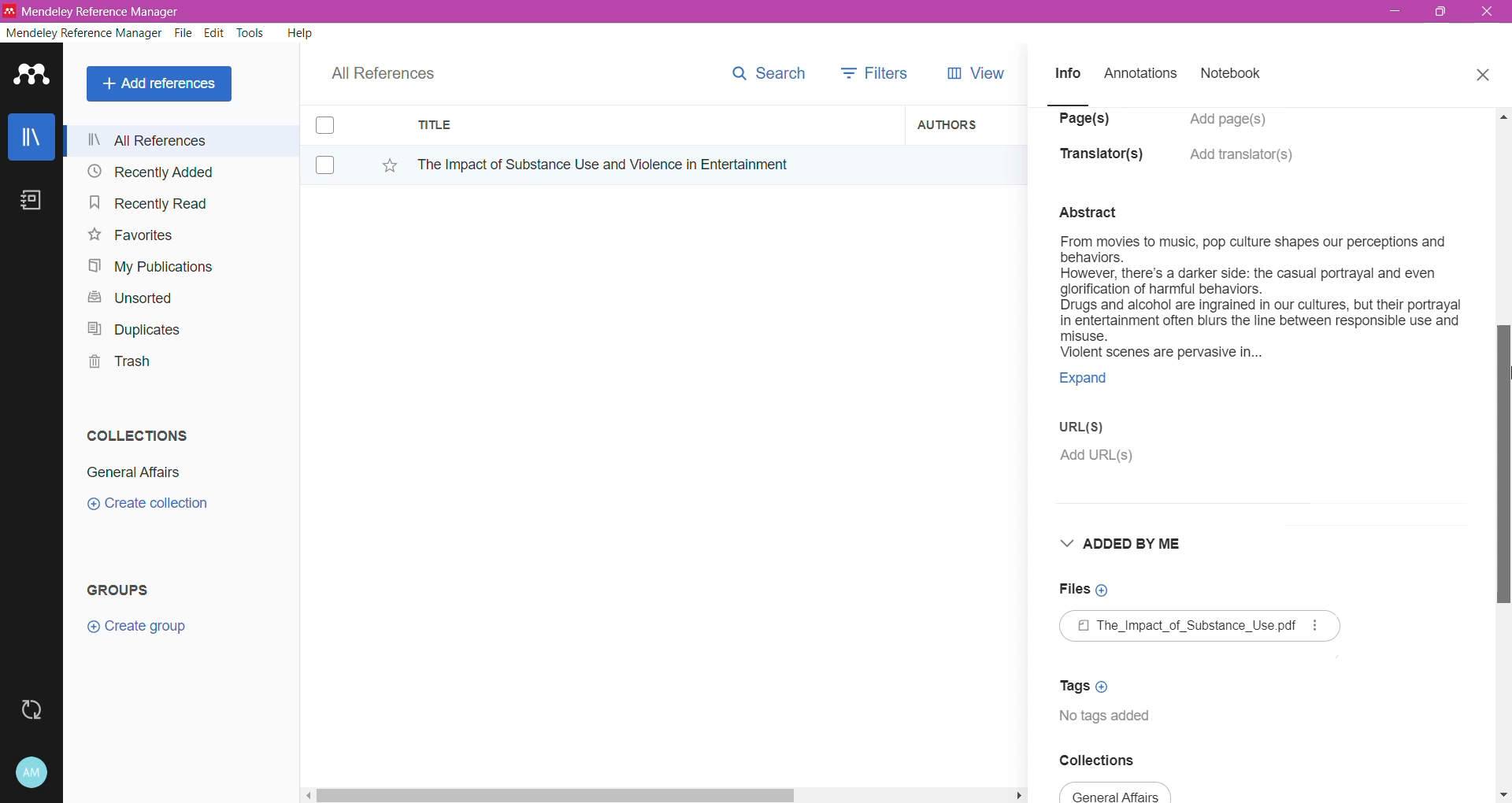 This screenshot has width=1512, height=803. What do you see at coordinates (662, 794) in the screenshot?
I see `Horizontal Scroll Bar` at bounding box center [662, 794].